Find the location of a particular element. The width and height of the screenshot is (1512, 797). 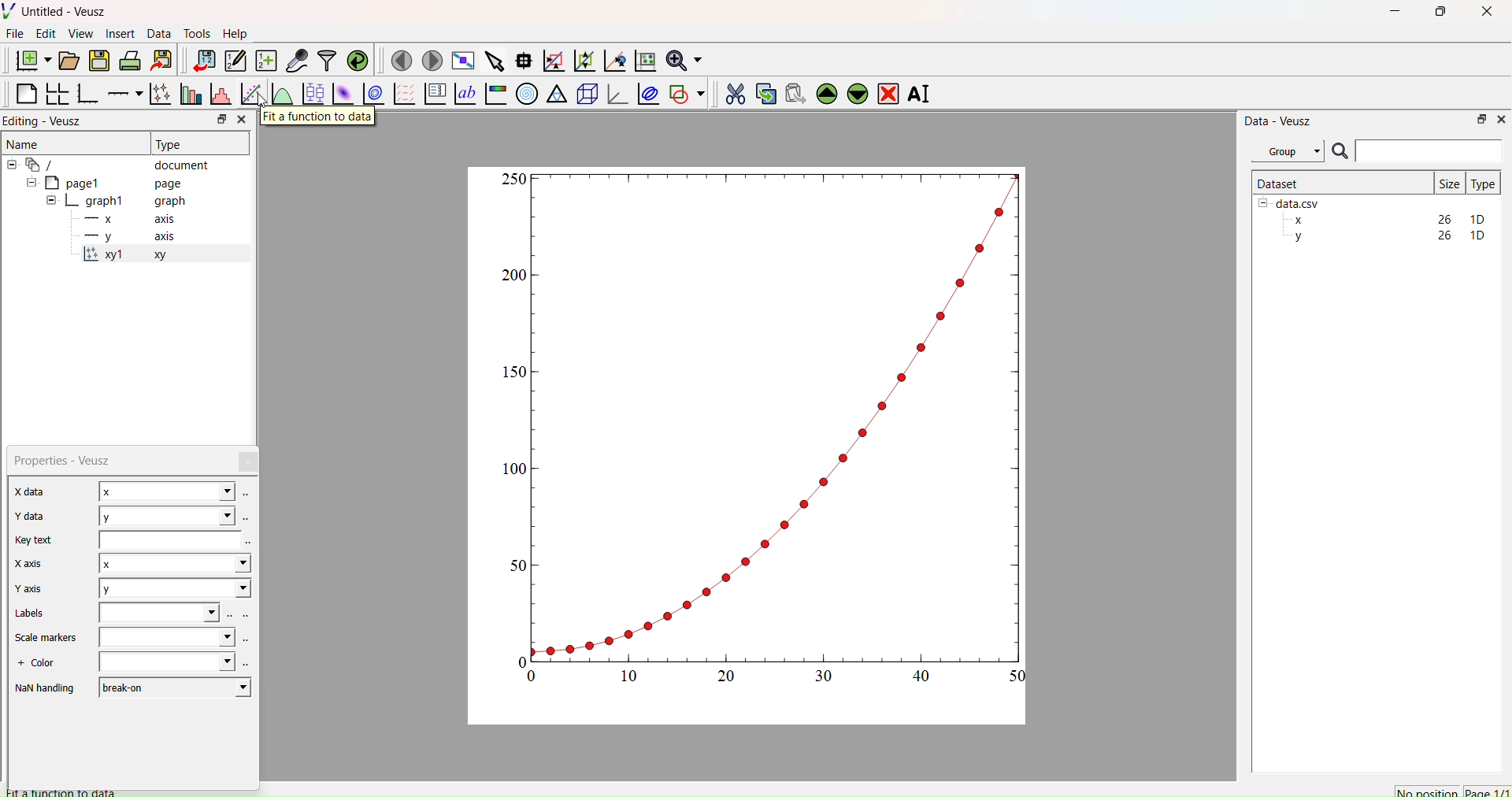

File is located at coordinates (15, 33).